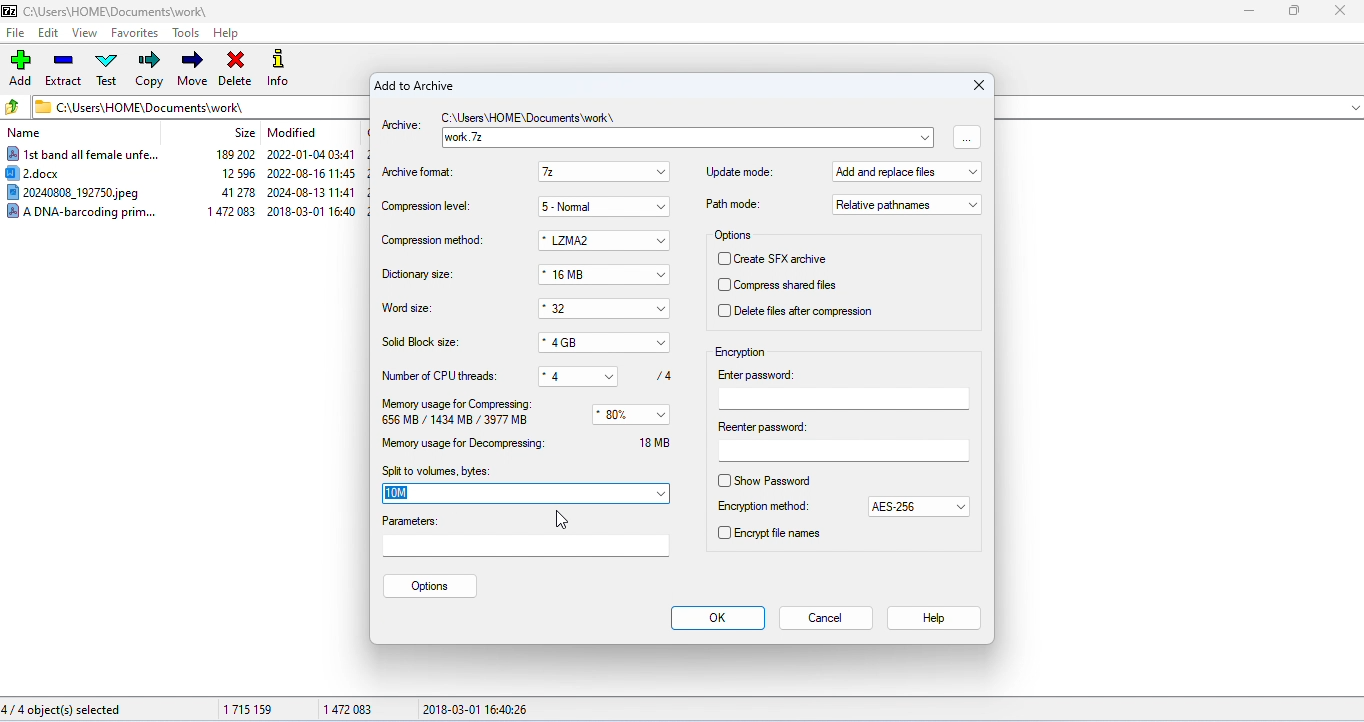 This screenshot has height=722, width=1364. What do you see at coordinates (779, 534) in the screenshot?
I see `encrypt file names` at bounding box center [779, 534].